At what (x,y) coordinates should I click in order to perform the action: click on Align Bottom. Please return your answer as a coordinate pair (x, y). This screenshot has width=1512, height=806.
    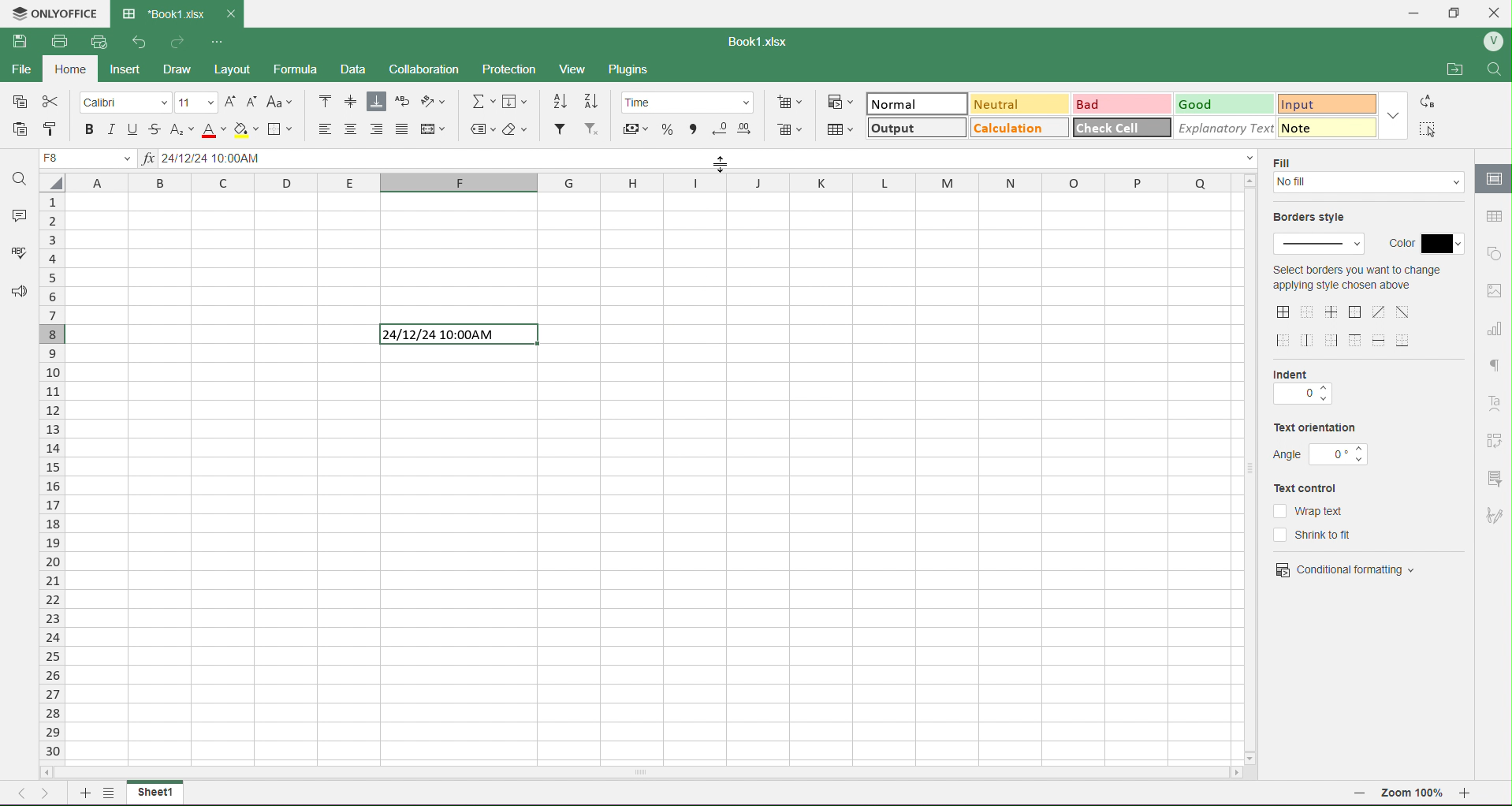
    Looking at the image, I should click on (377, 103).